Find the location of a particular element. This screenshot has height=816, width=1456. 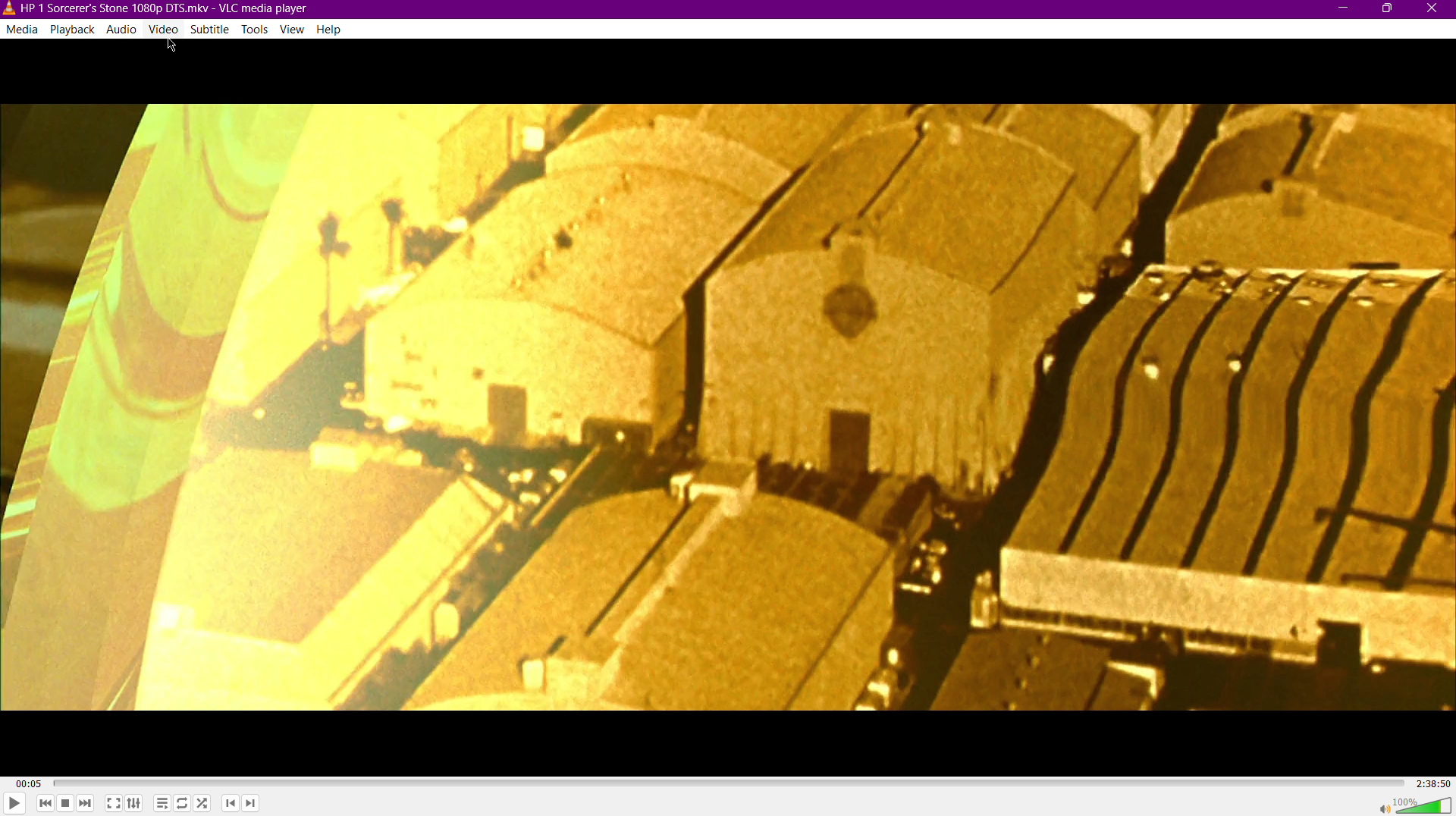

00:05 is located at coordinates (27, 782).